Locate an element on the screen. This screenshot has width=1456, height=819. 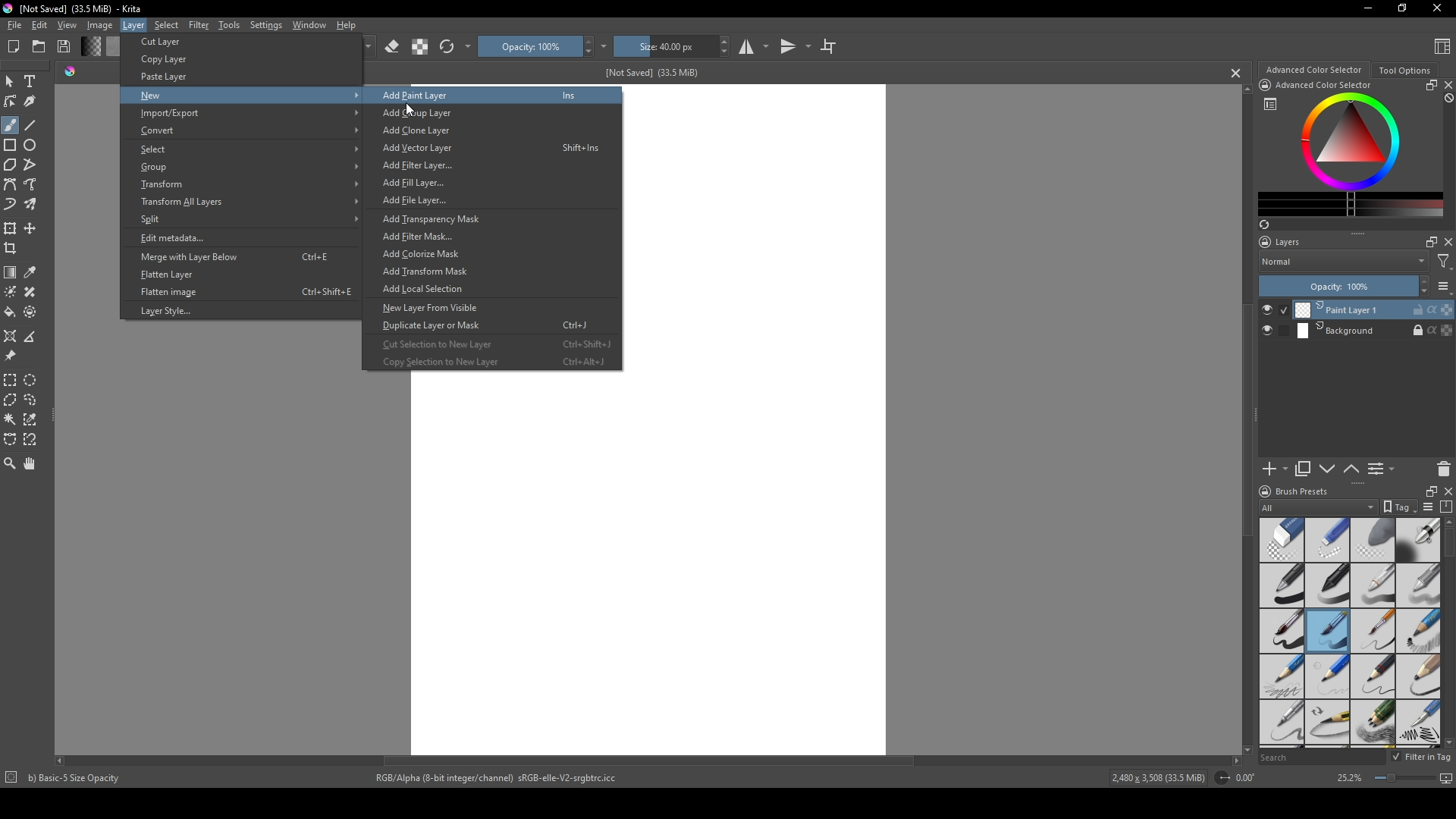
Edit is located at coordinates (39, 25).